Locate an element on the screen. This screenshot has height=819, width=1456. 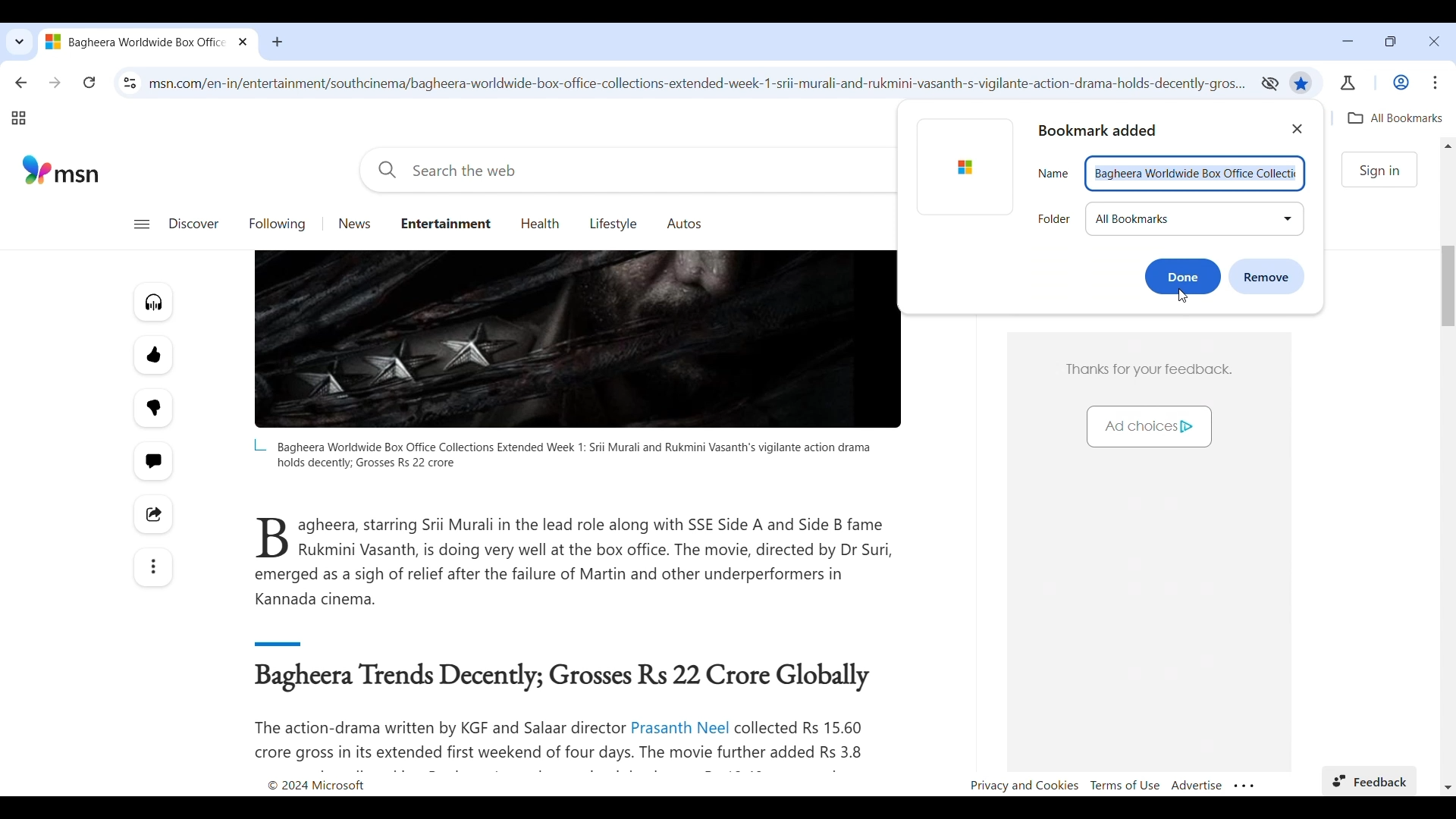
Save inputs made to bookmark page is located at coordinates (1183, 277).